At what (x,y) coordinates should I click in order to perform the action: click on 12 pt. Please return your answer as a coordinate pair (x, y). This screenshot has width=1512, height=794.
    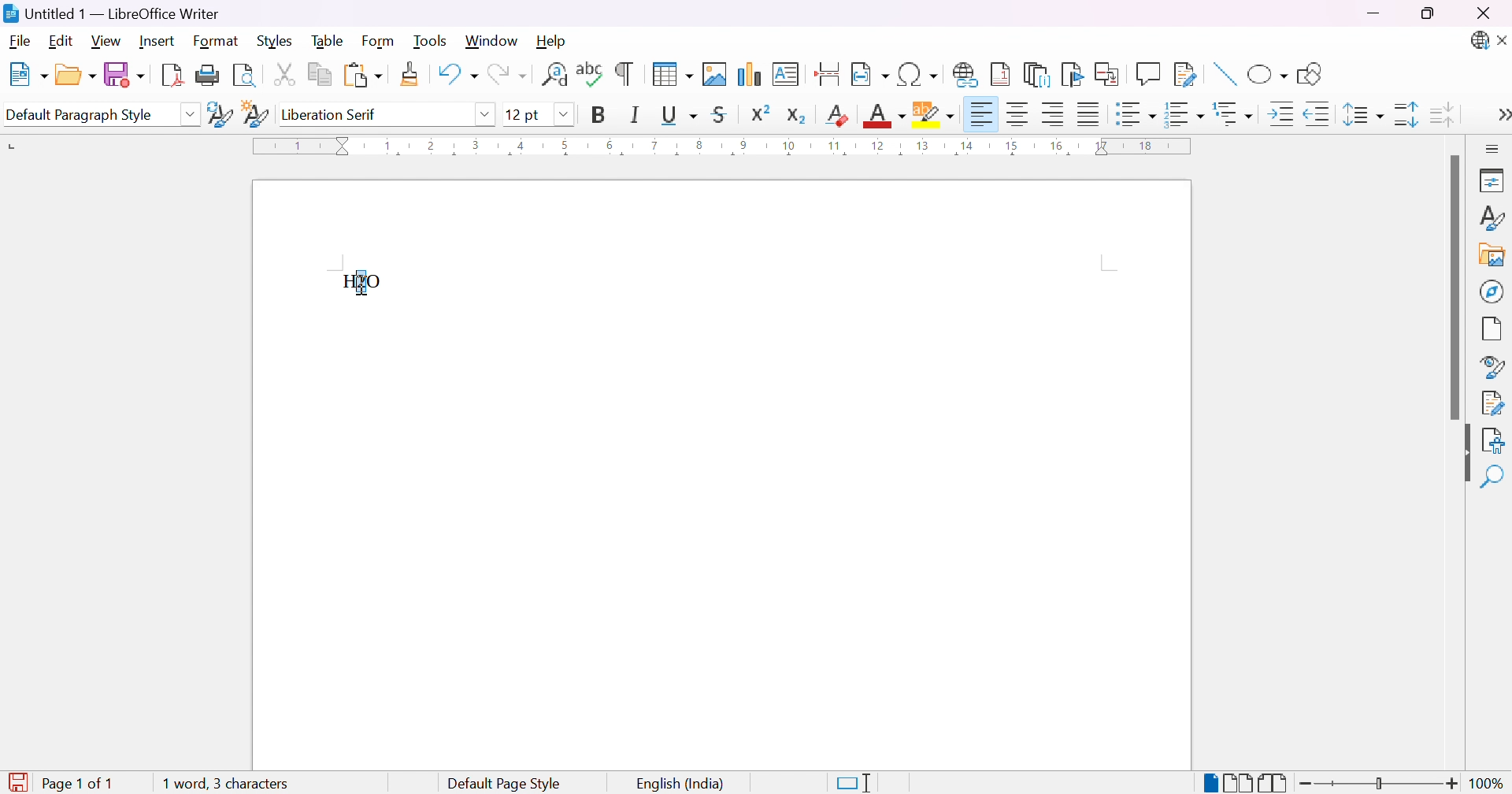
    Looking at the image, I should click on (524, 114).